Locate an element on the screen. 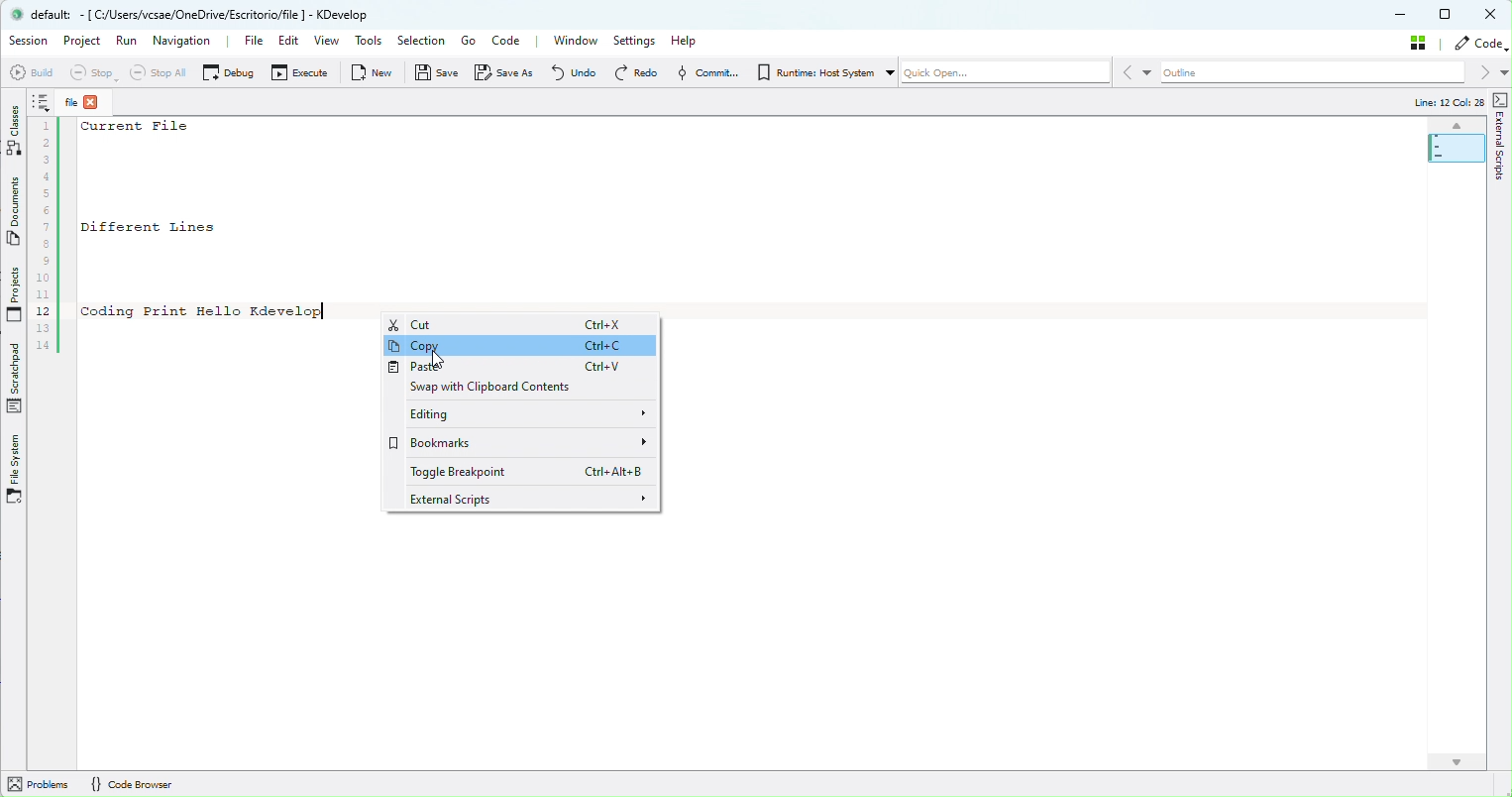  Stop is located at coordinates (99, 71).